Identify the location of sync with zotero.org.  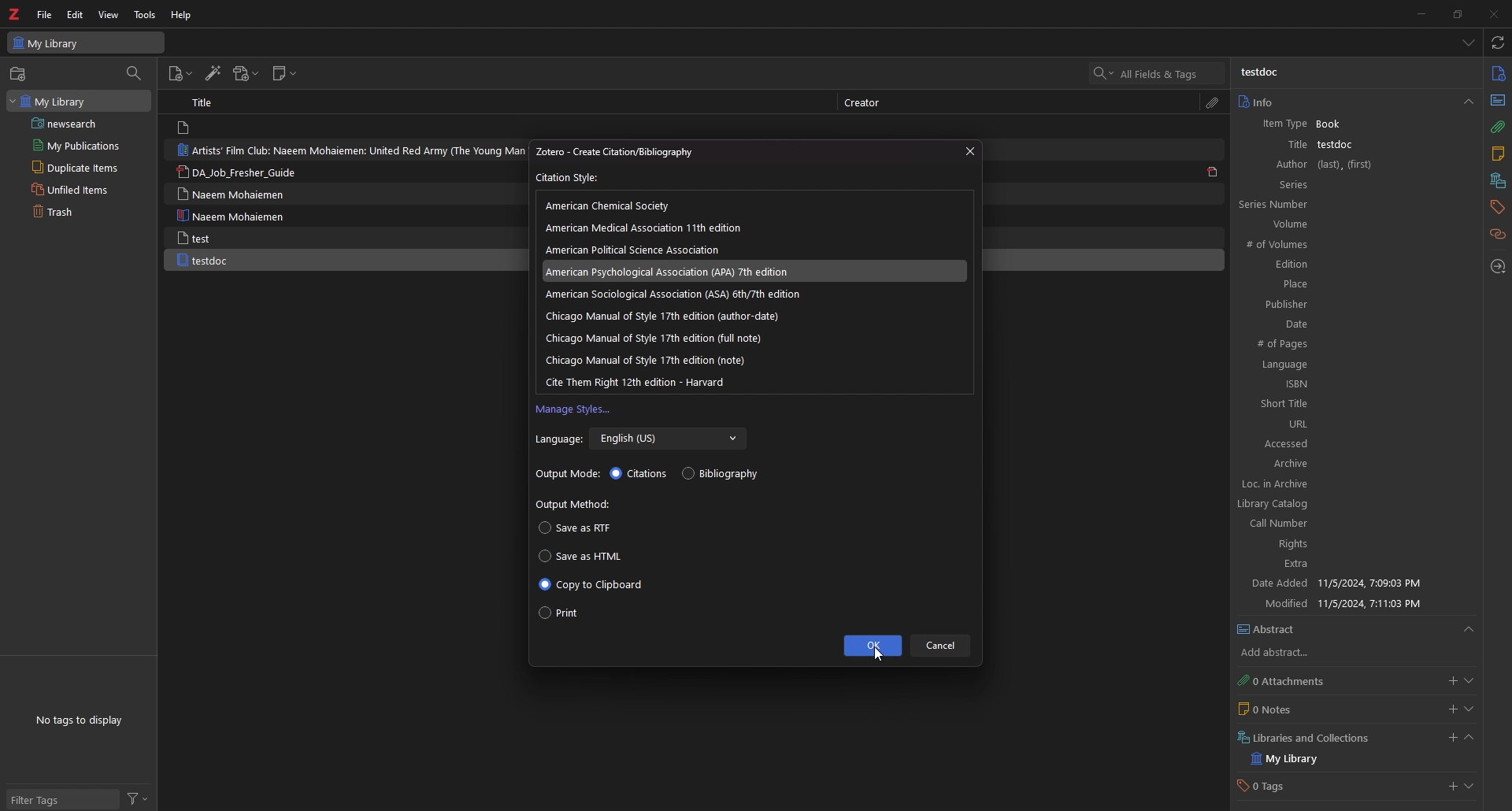
(1499, 42).